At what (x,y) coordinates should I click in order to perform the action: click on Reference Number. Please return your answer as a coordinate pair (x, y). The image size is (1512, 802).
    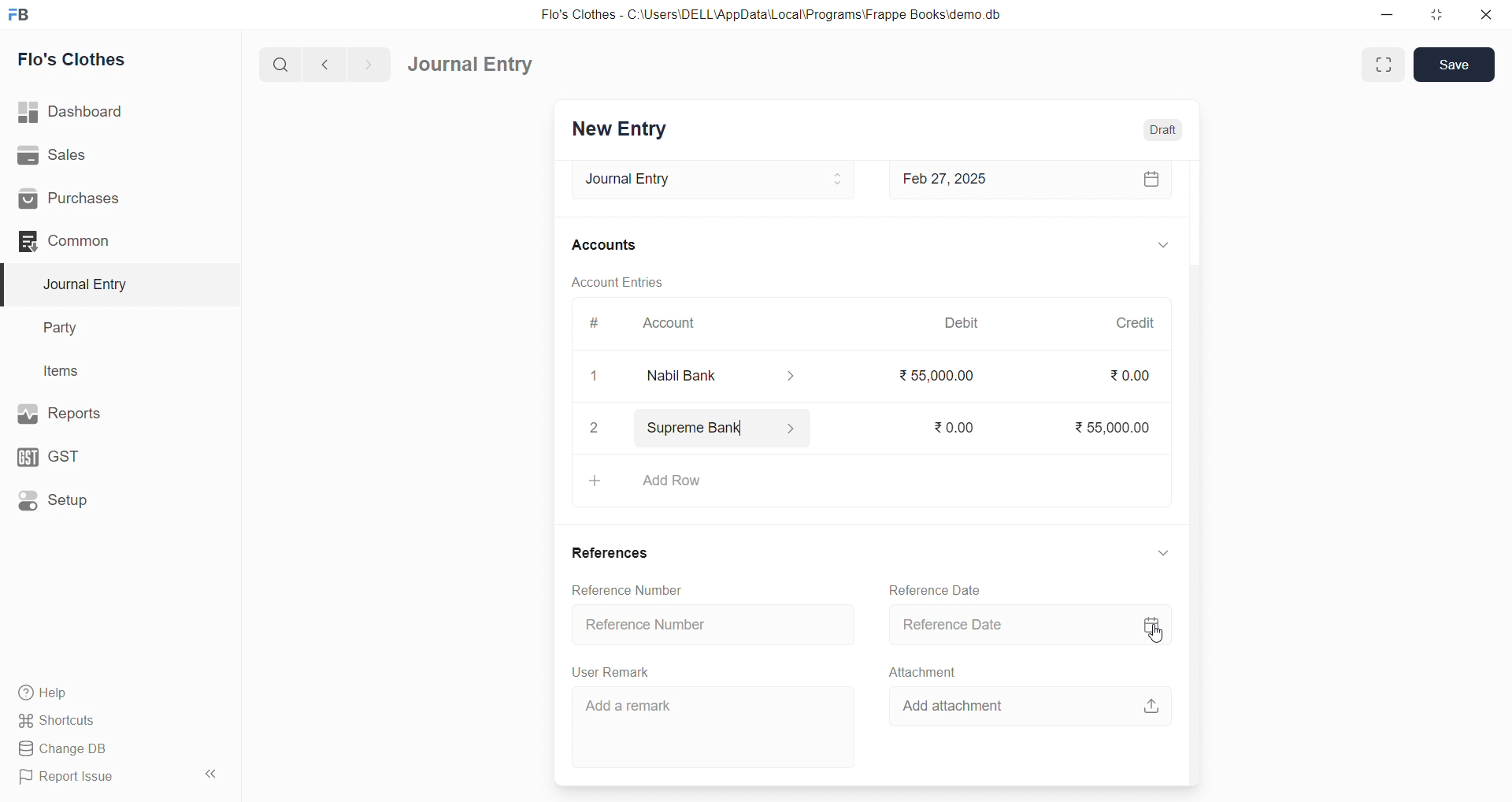
    Looking at the image, I should click on (627, 589).